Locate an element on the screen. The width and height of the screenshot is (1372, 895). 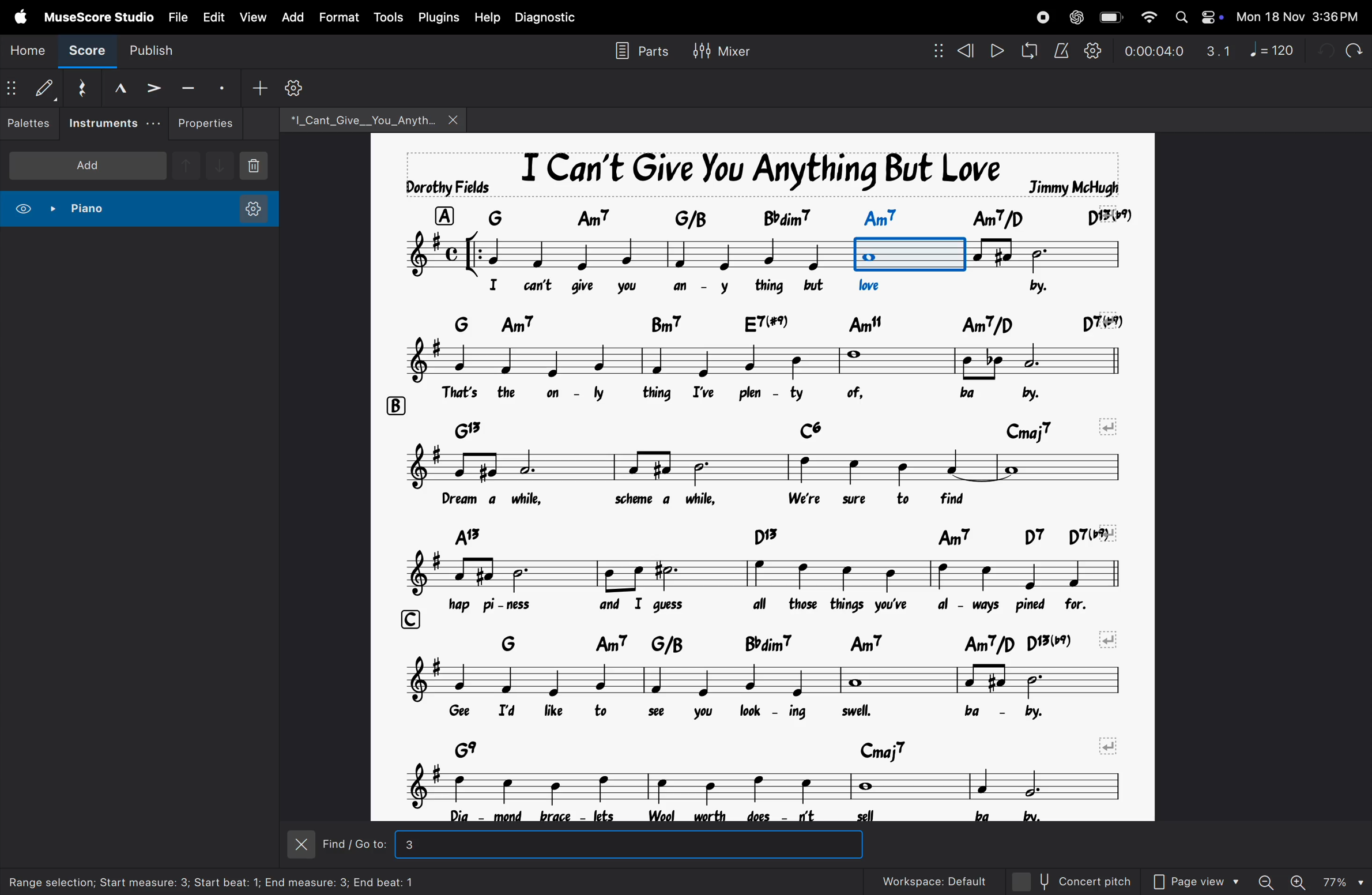
diagnostic is located at coordinates (549, 17).